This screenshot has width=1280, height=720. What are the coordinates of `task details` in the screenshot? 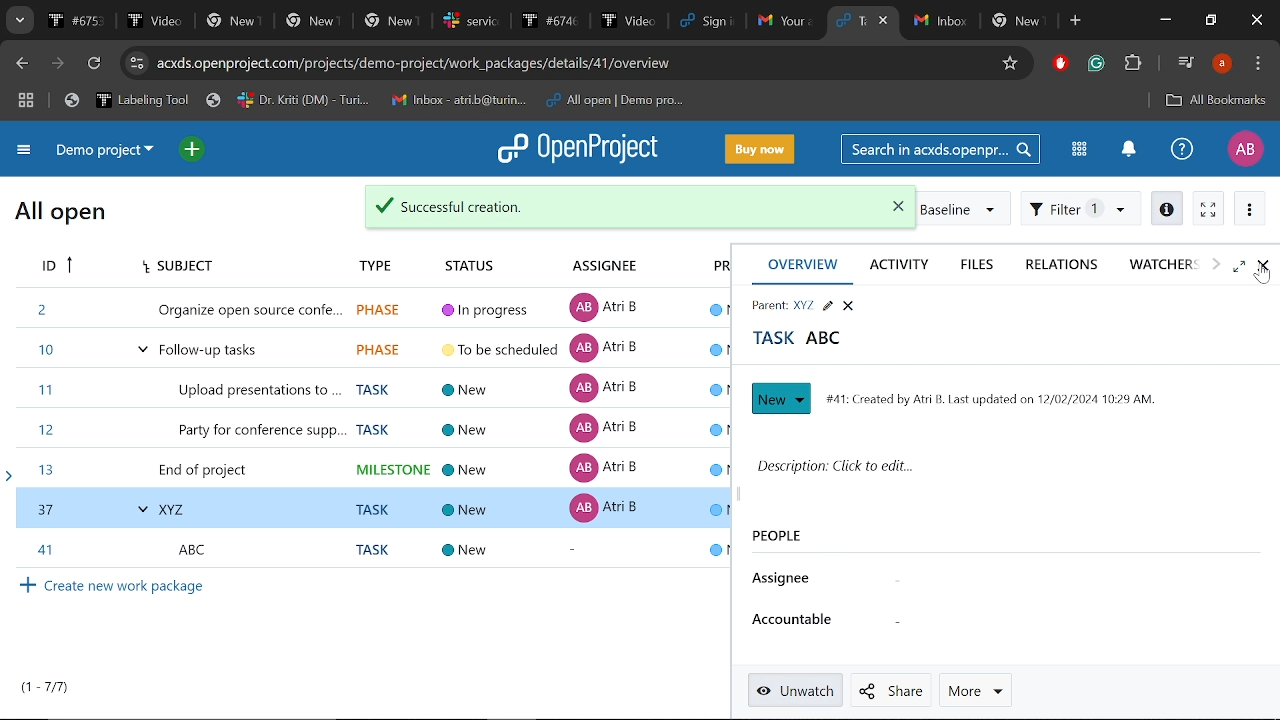 It's located at (499, 550).